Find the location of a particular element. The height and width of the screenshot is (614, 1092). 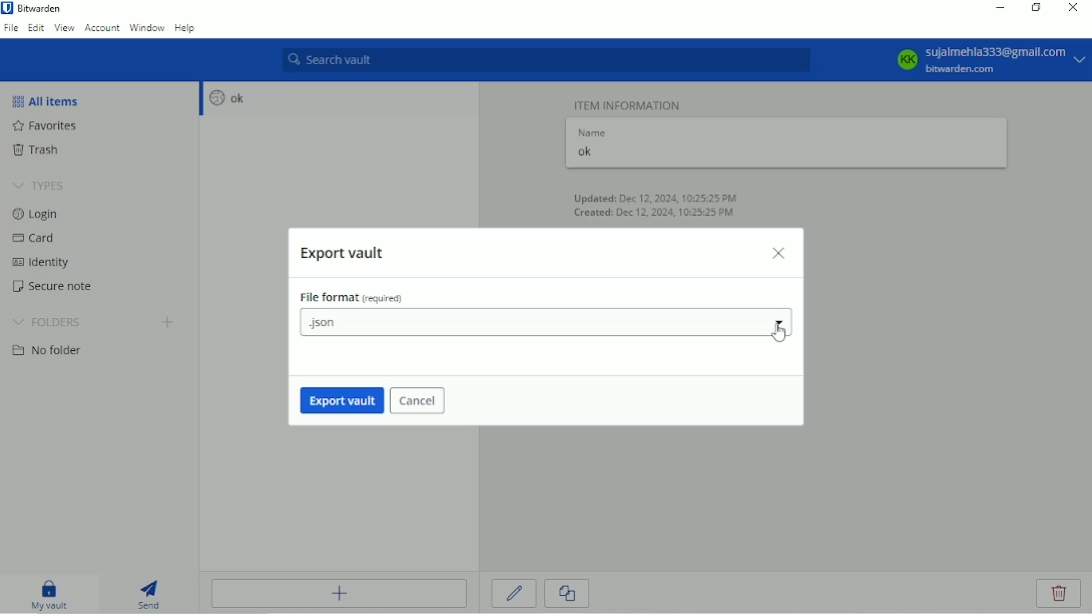

Secure note is located at coordinates (62, 289).